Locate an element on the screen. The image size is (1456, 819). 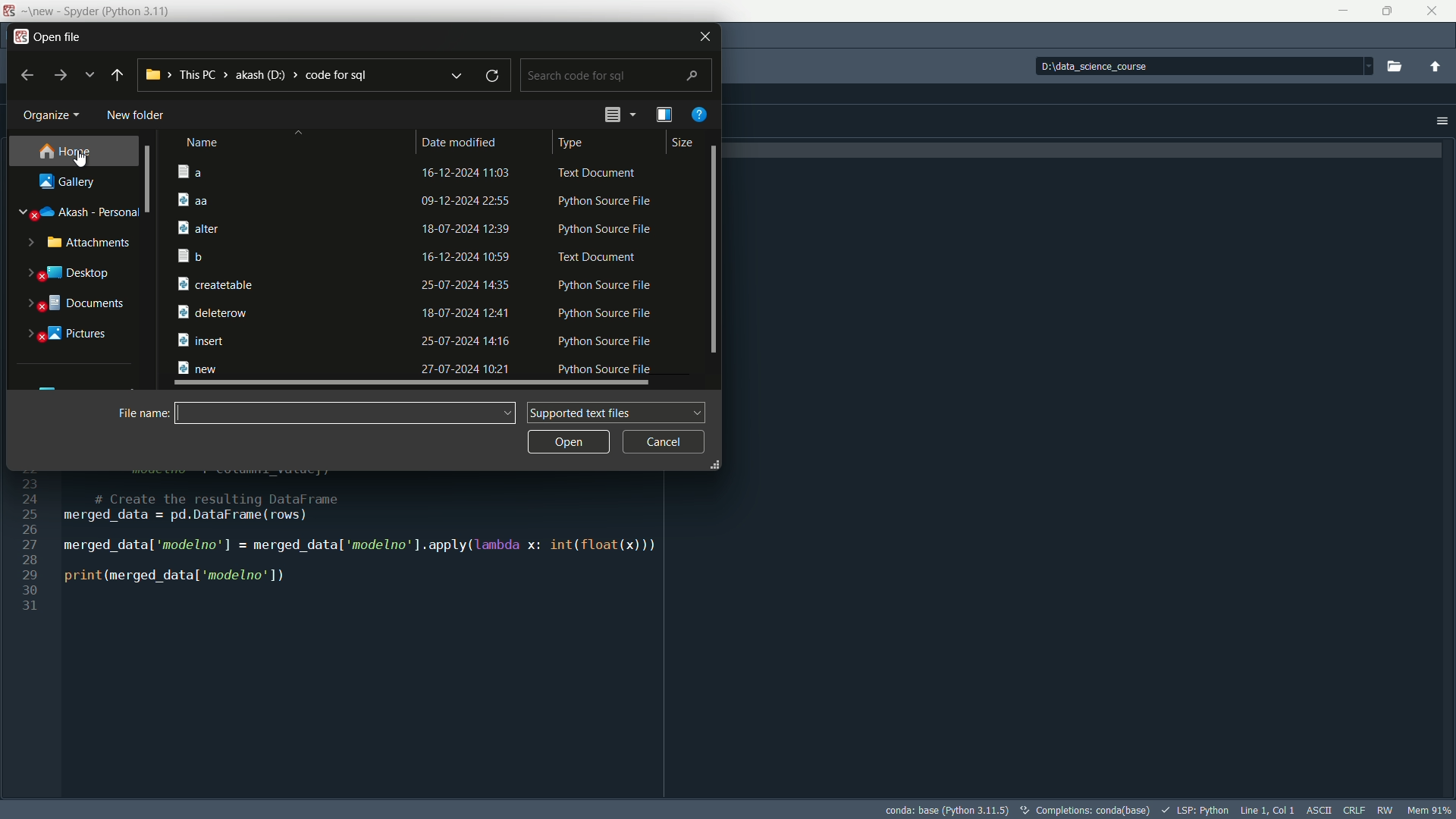
desktop is located at coordinates (84, 273).